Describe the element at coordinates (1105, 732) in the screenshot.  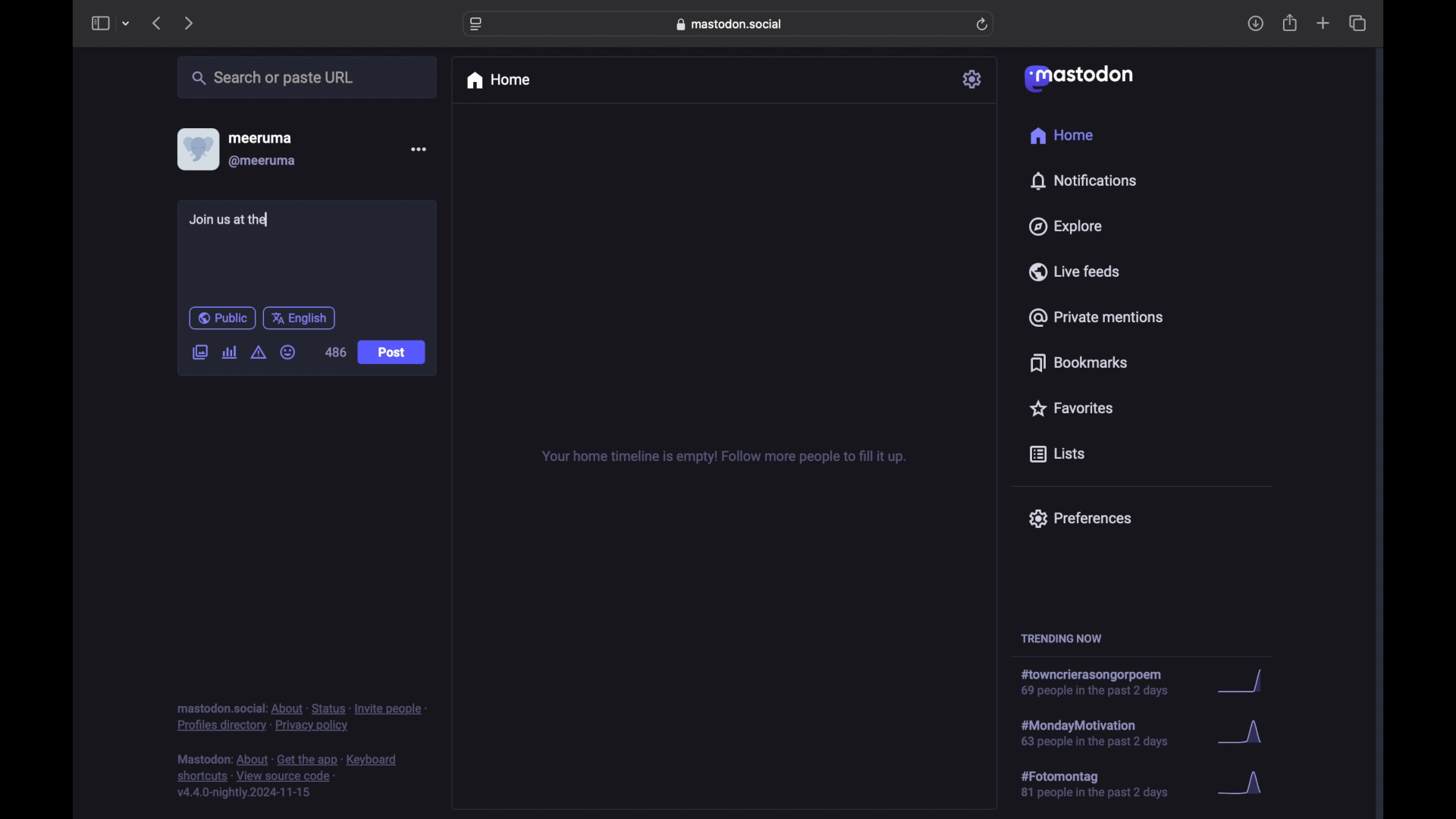
I see `hashtag trend` at that location.